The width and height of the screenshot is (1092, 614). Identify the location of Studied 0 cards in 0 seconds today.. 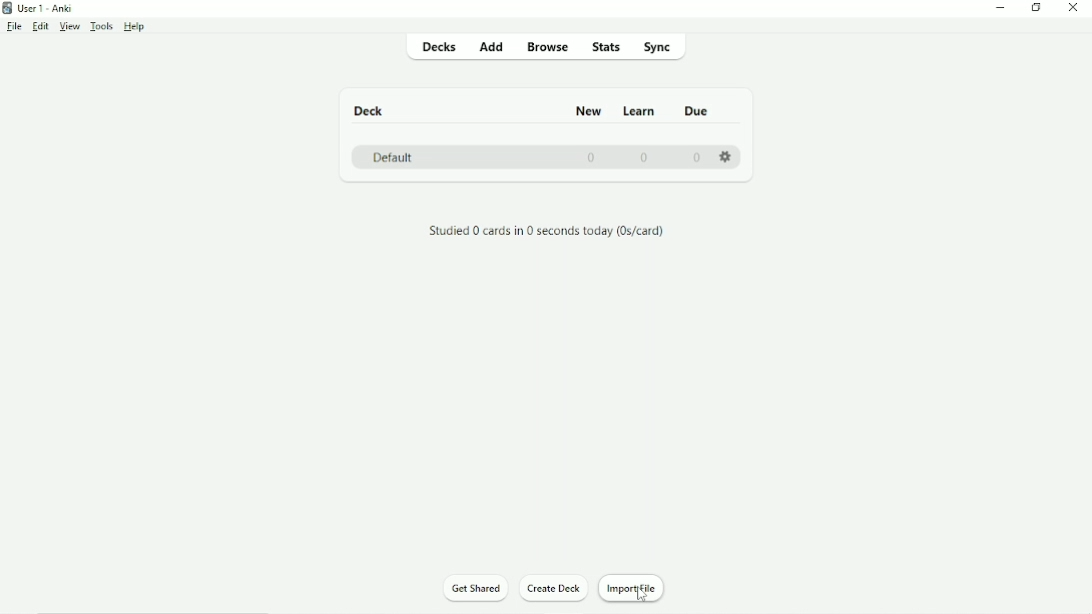
(548, 232).